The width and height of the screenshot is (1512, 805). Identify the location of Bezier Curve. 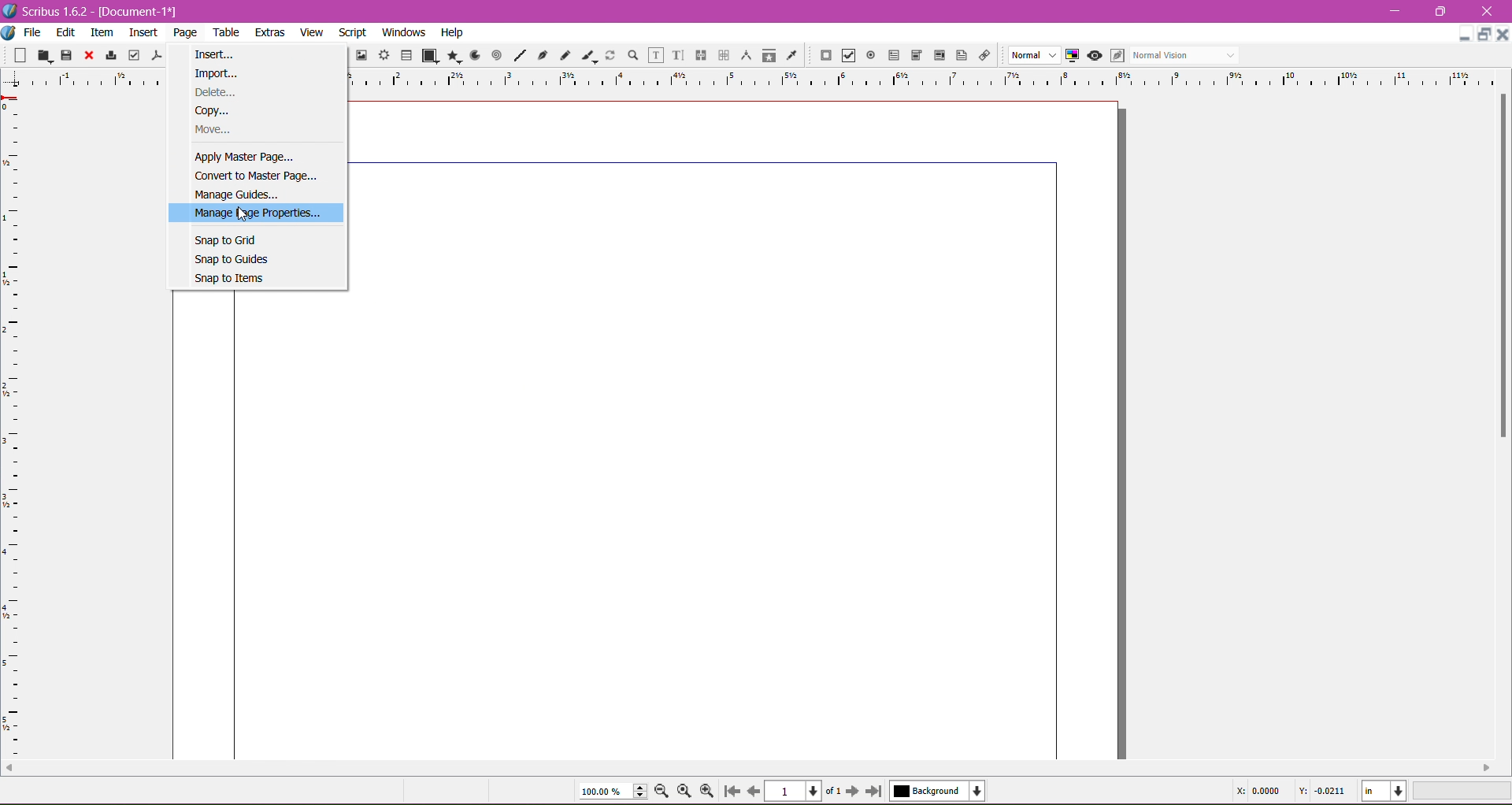
(544, 56).